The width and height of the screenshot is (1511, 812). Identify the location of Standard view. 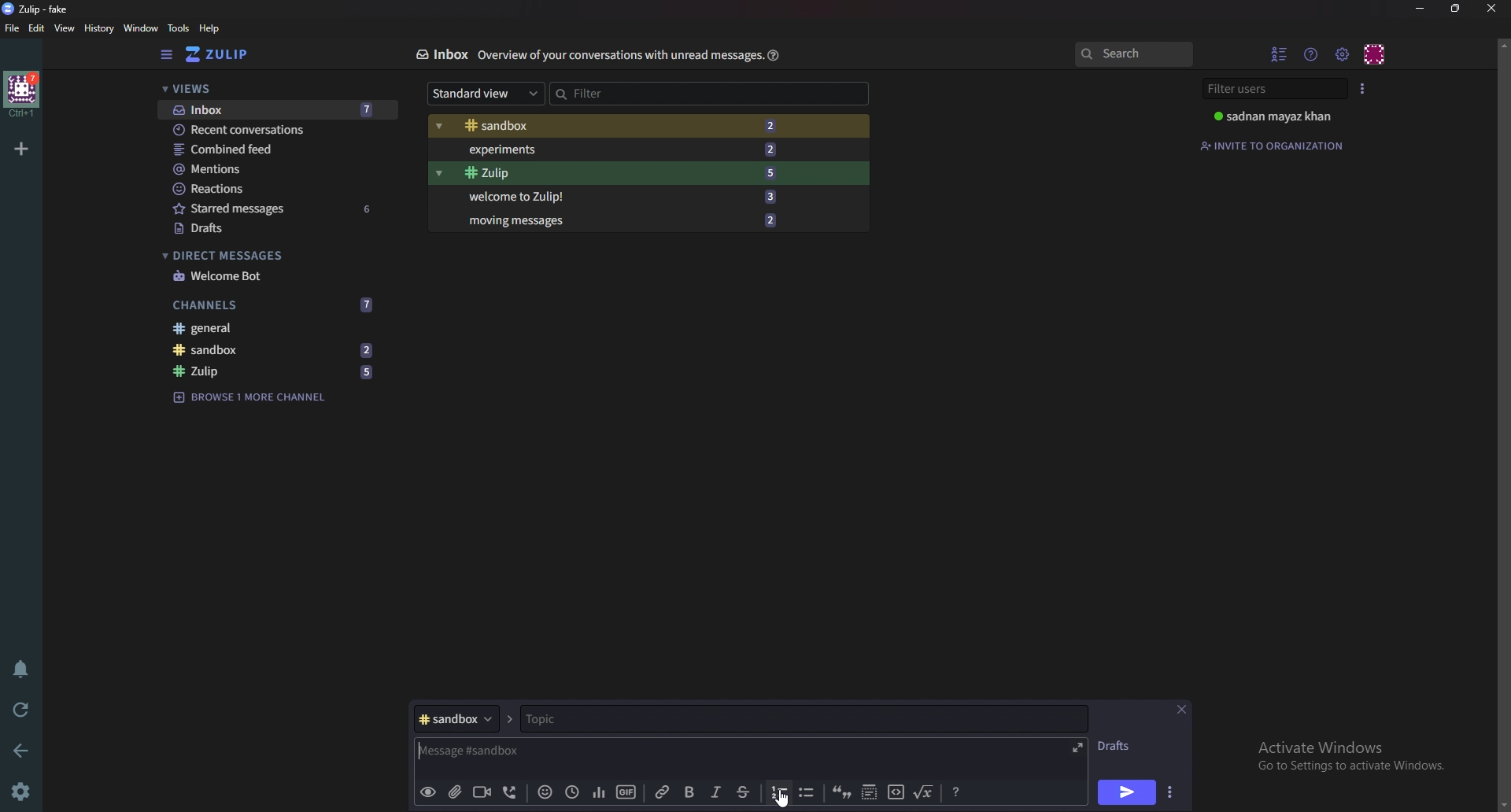
(481, 94).